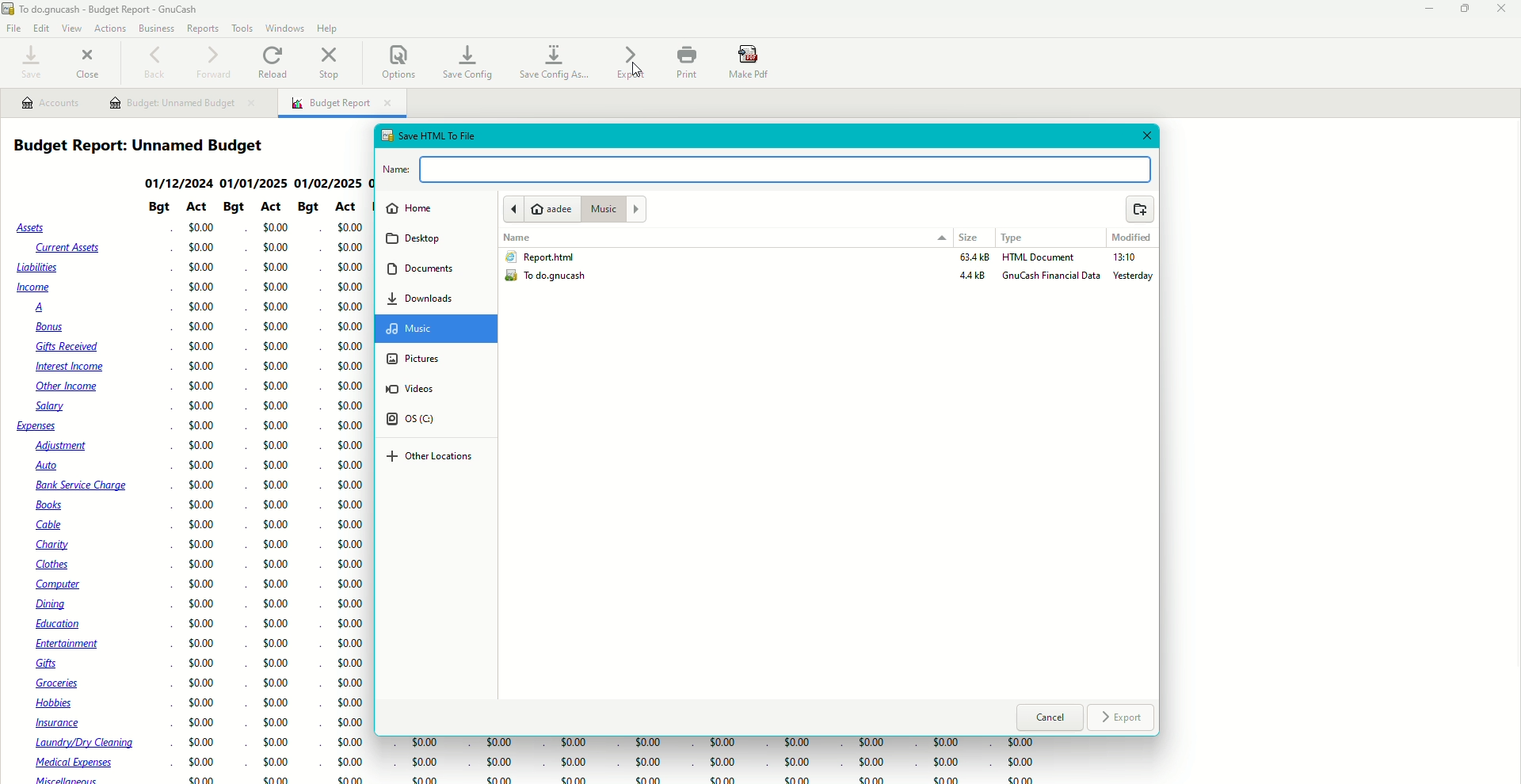  I want to click on Reports, so click(203, 29).